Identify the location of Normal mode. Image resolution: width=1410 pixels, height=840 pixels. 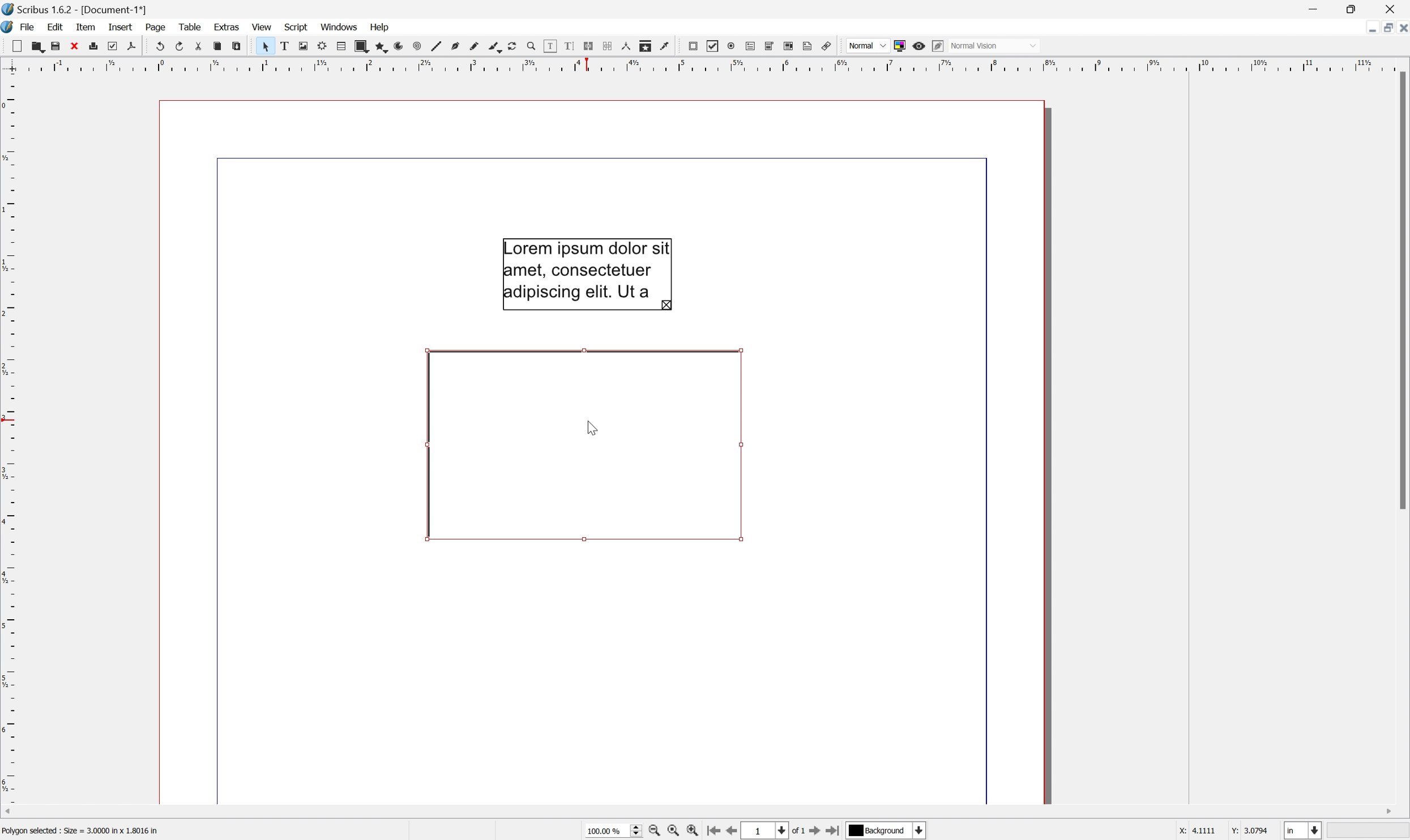
(997, 46).